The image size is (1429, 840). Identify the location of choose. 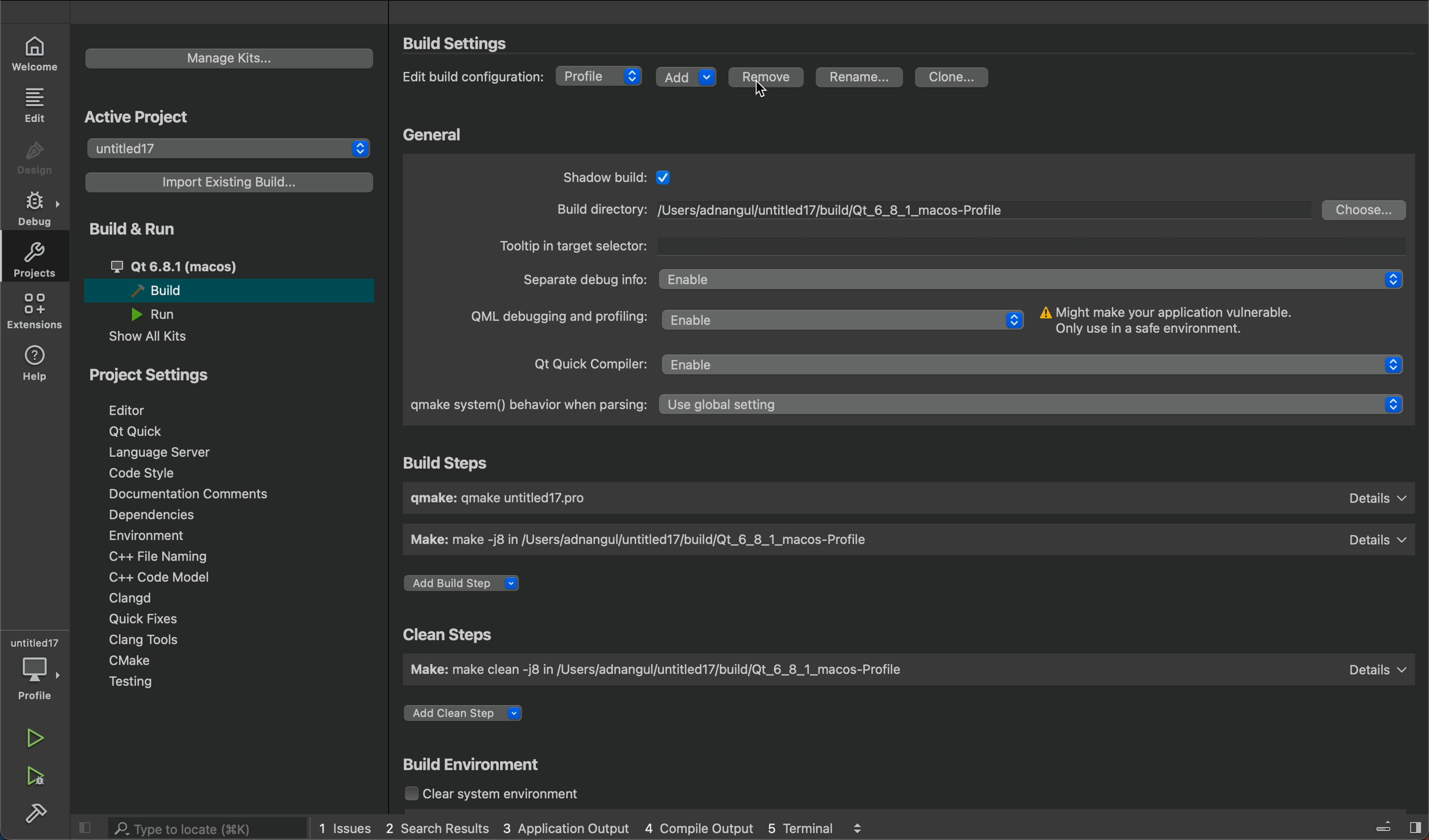
(1369, 209).